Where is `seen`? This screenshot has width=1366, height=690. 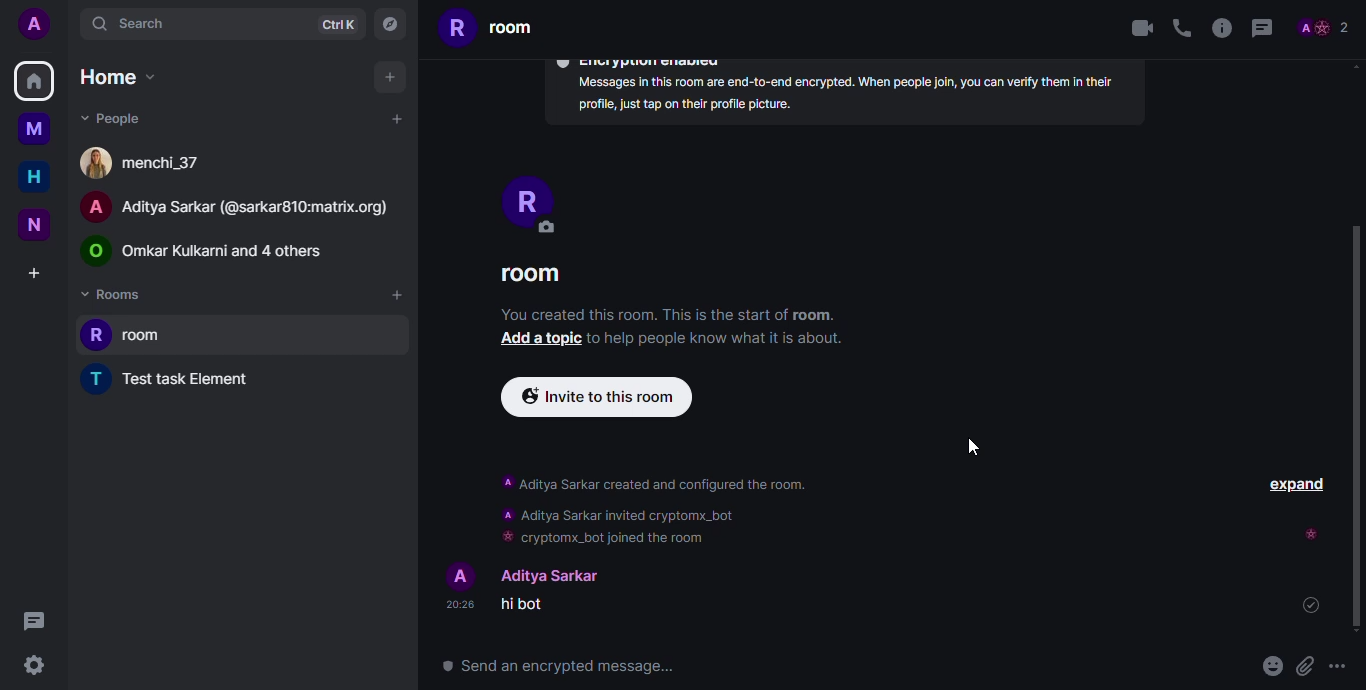
seen is located at coordinates (1297, 532).